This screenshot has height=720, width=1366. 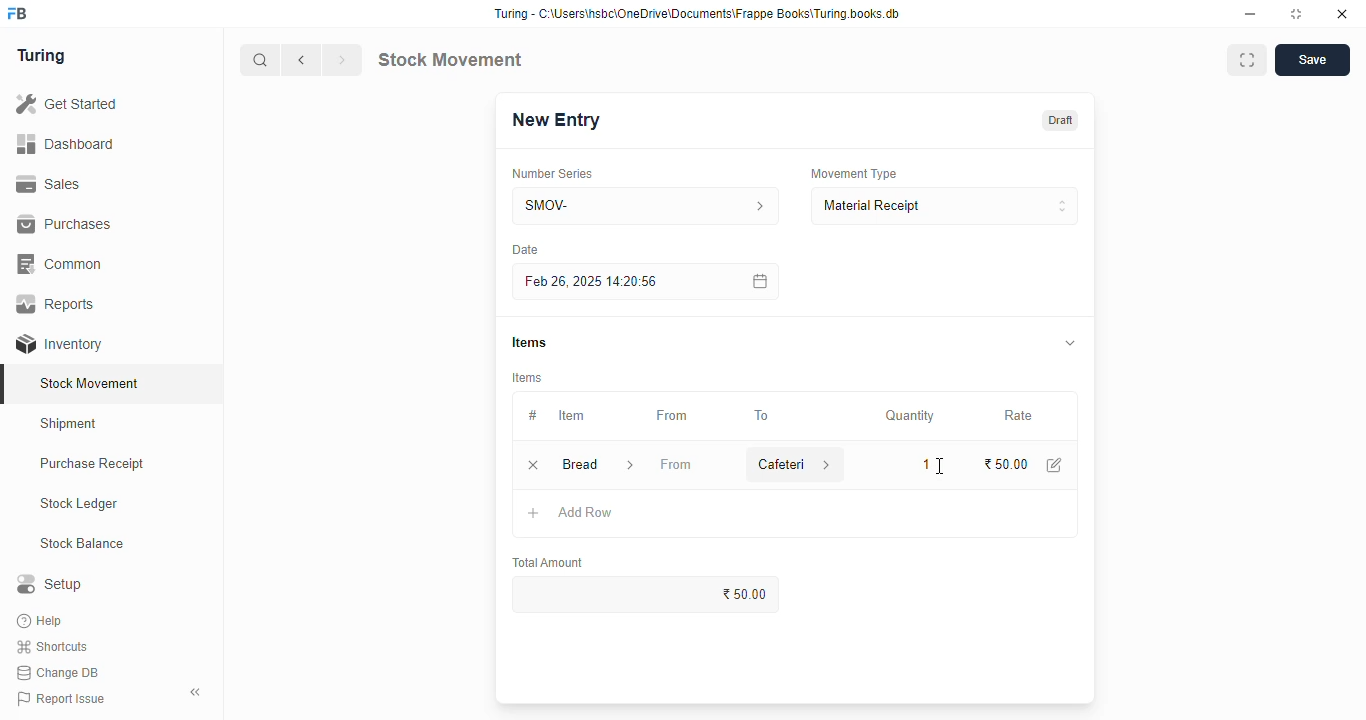 I want to click on Date, so click(x=525, y=249).